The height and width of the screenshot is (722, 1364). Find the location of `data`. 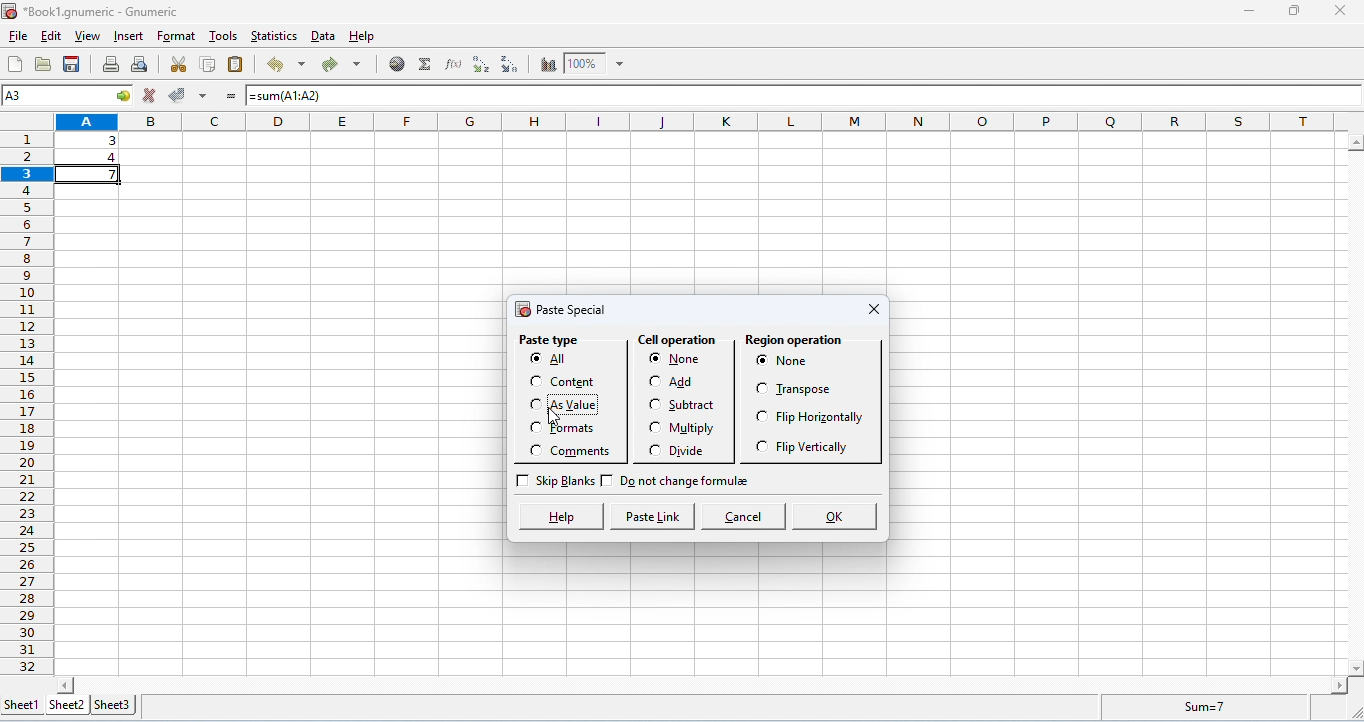

data is located at coordinates (113, 145).